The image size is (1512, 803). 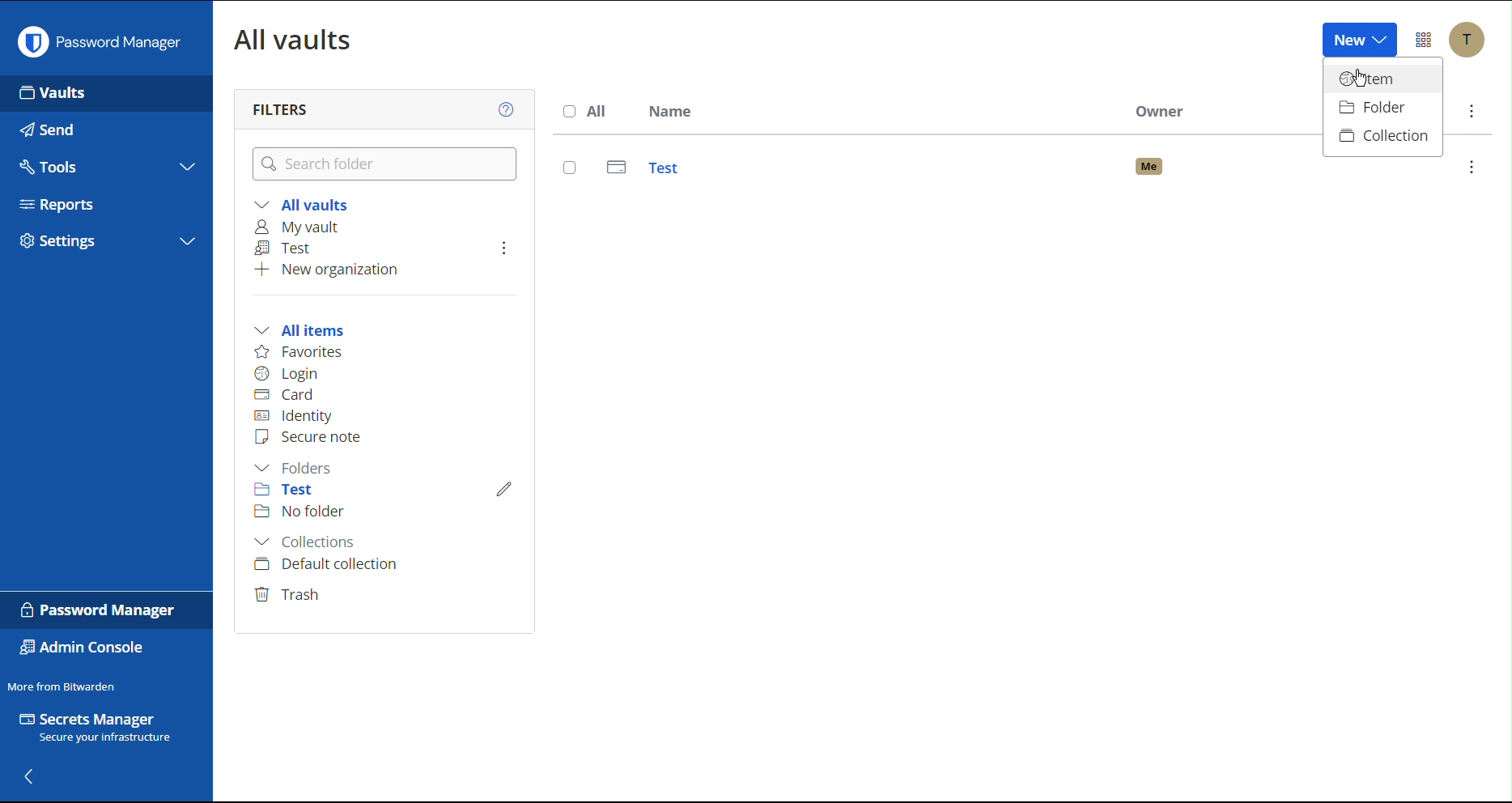 I want to click on Login, so click(x=287, y=372).